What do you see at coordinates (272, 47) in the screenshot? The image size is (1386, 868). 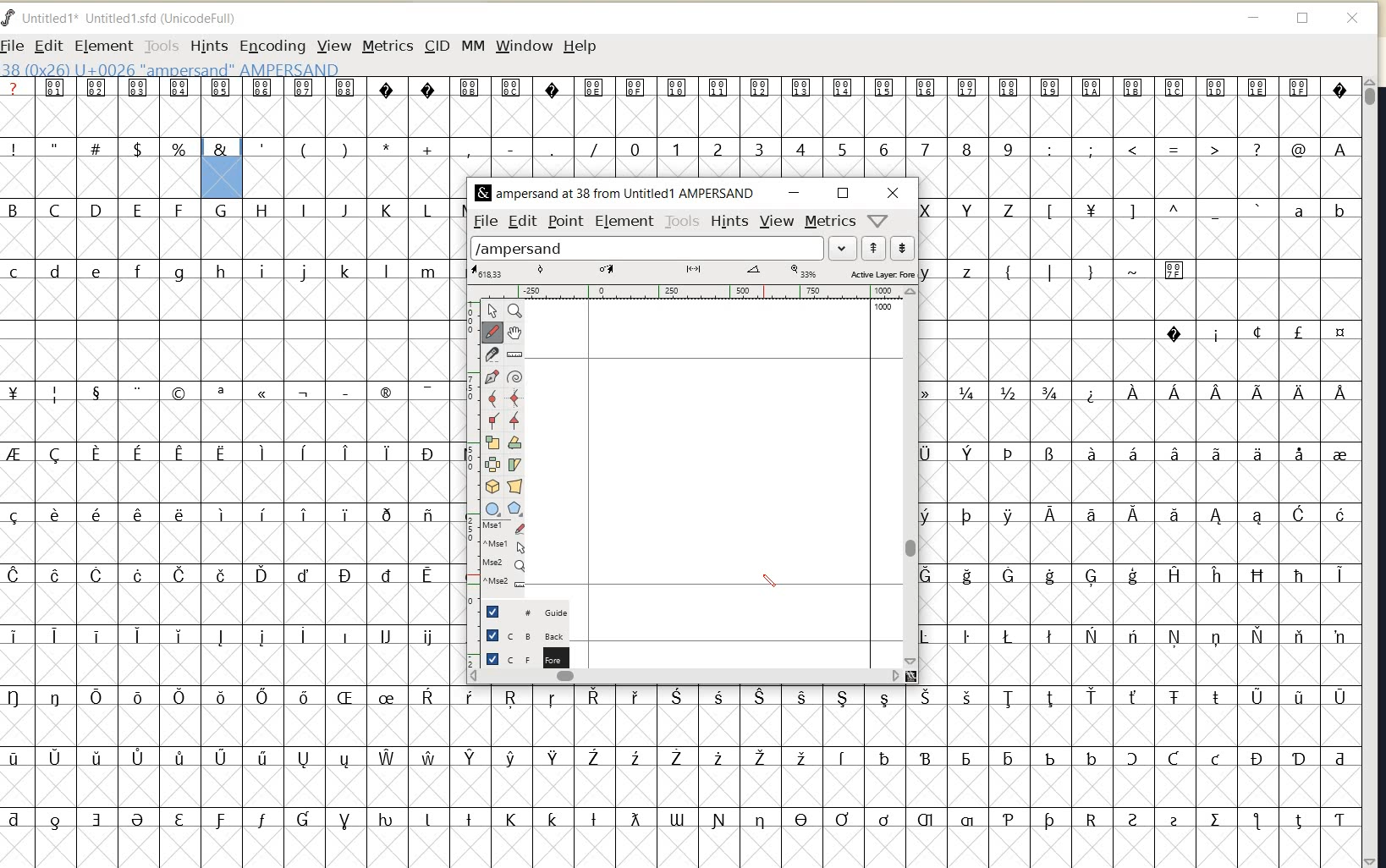 I see `ENCODING` at bounding box center [272, 47].